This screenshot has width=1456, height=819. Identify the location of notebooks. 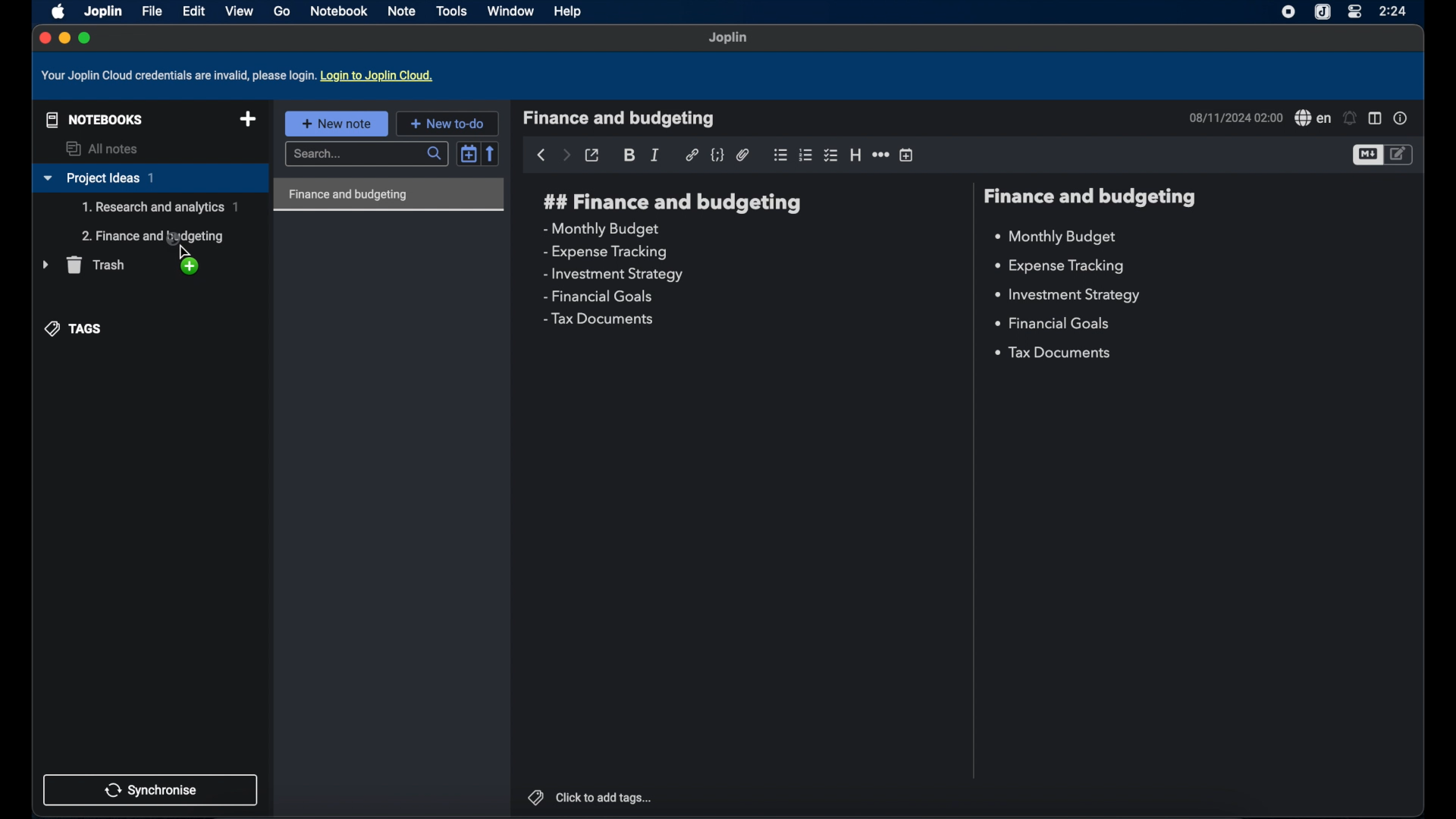
(91, 118).